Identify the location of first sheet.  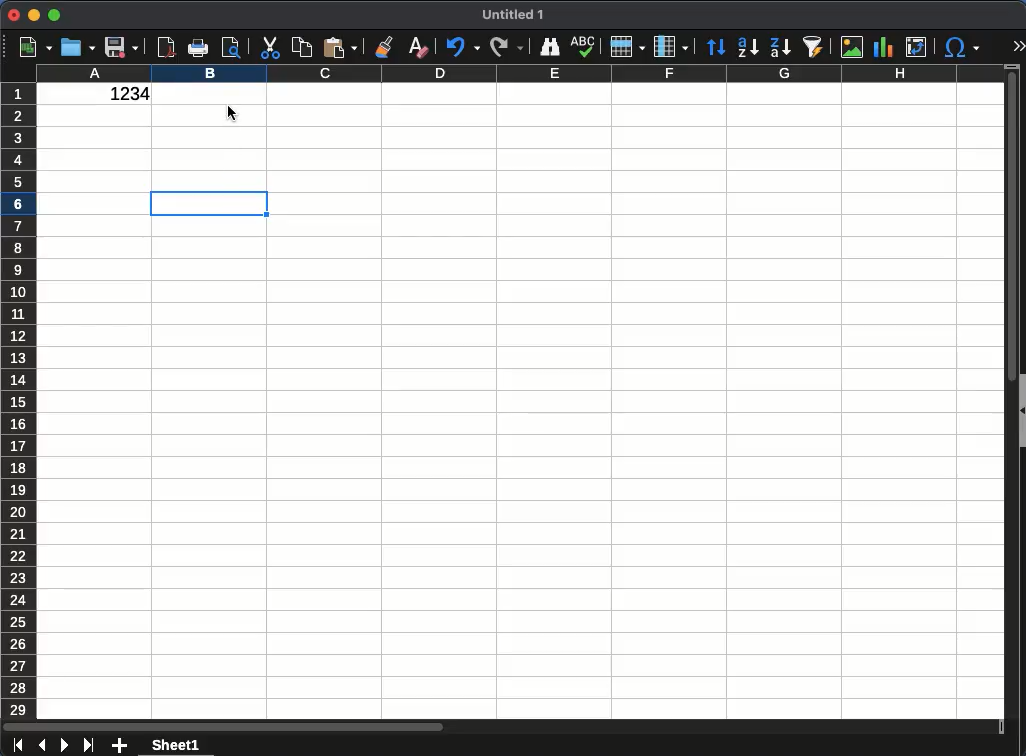
(18, 745).